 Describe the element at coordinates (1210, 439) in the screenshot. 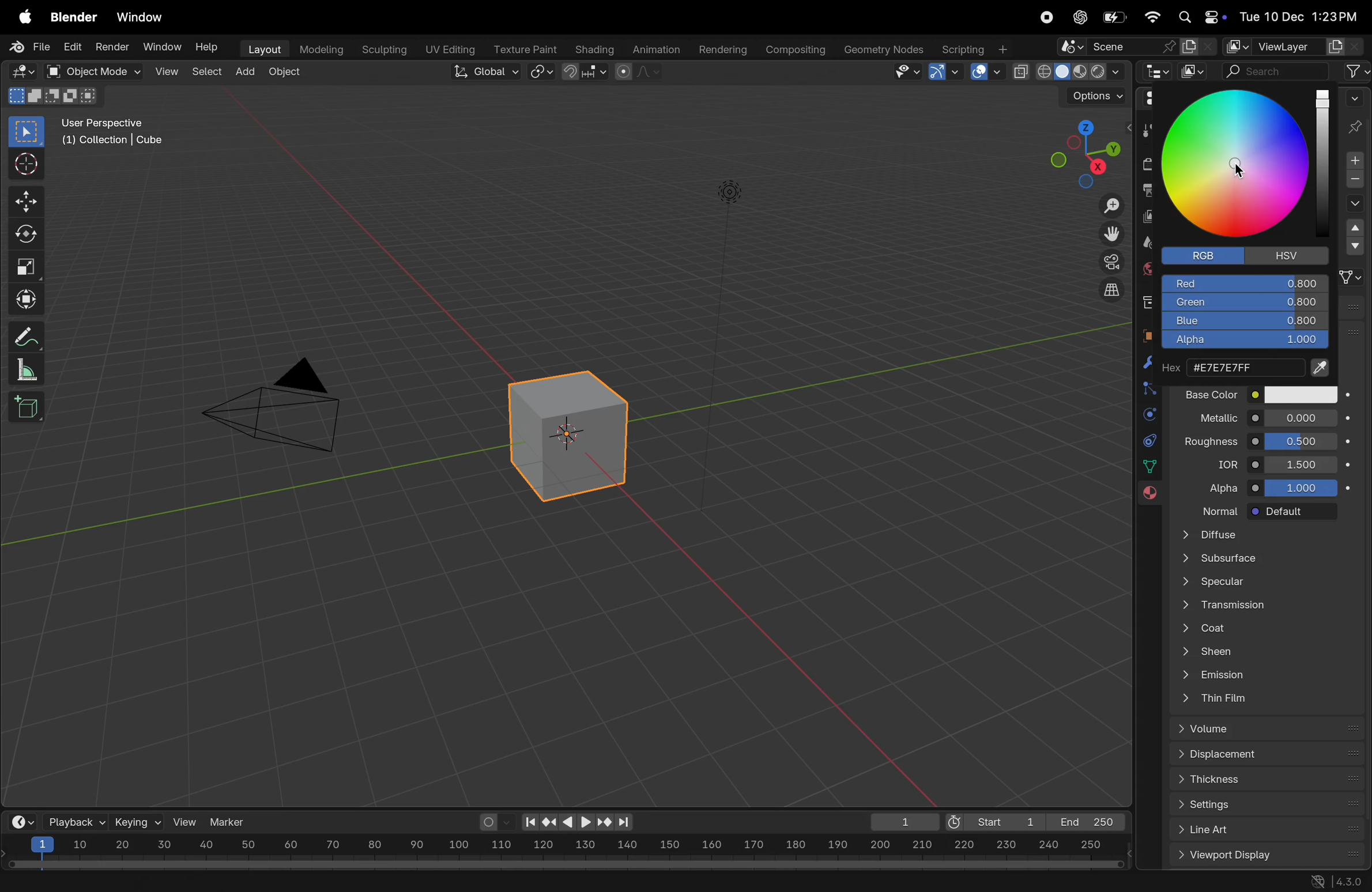

I see `roughness` at that location.